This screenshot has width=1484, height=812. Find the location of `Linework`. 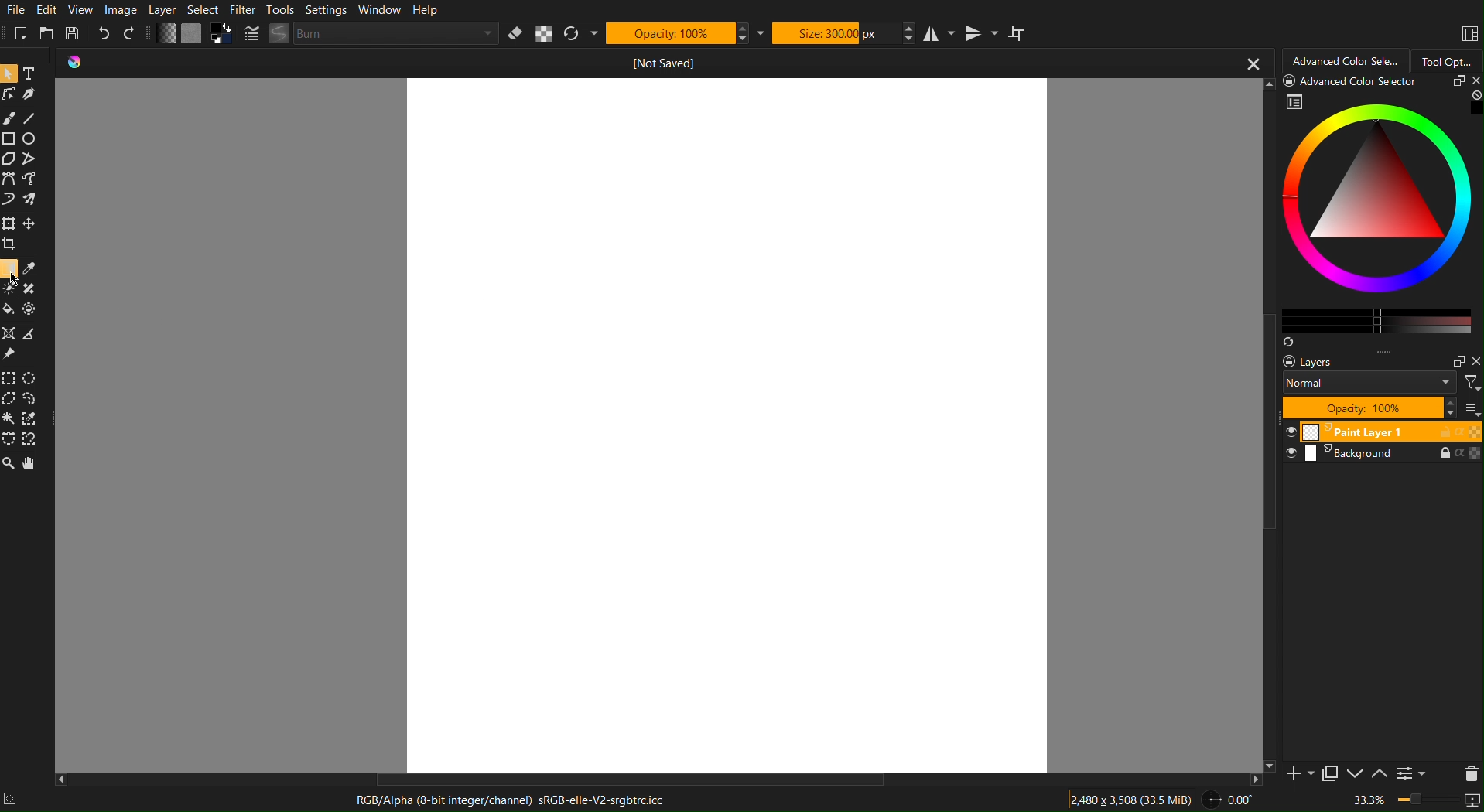

Linework is located at coordinates (10, 94).